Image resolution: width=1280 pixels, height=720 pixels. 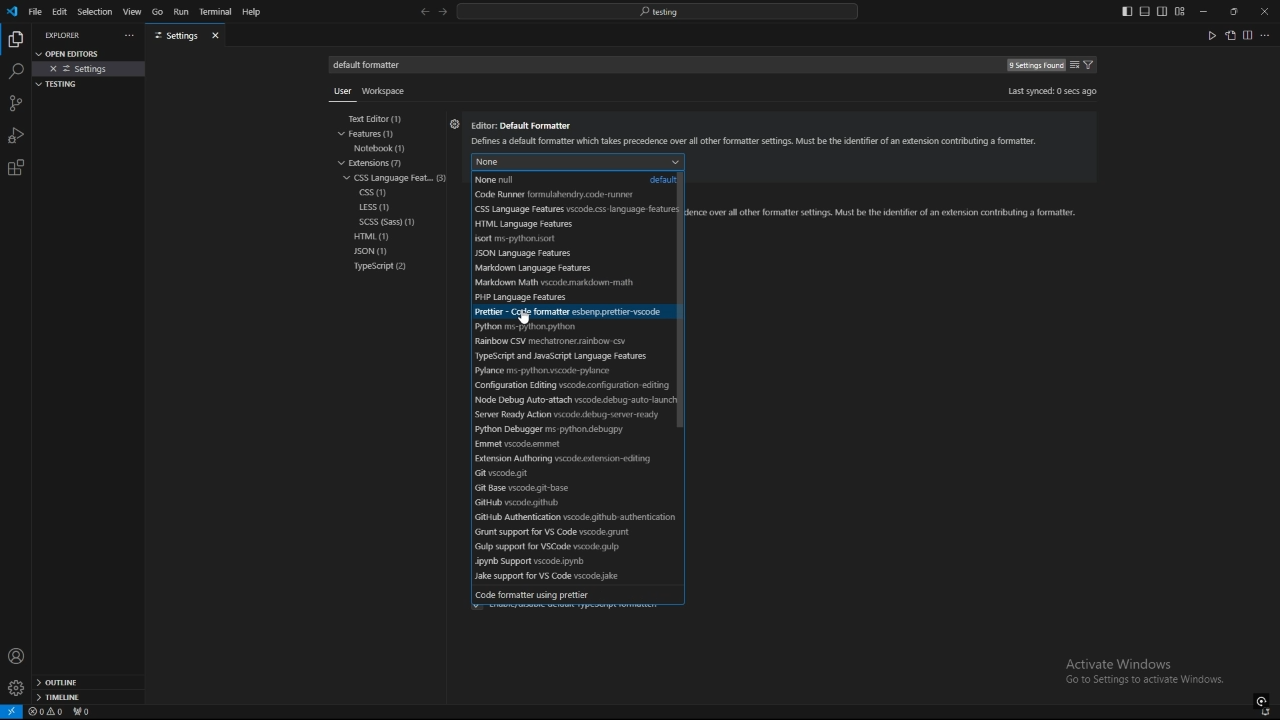 What do you see at coordinates (565, 225) in the screenshot?
I see `html` at bounding box center [565, 225].